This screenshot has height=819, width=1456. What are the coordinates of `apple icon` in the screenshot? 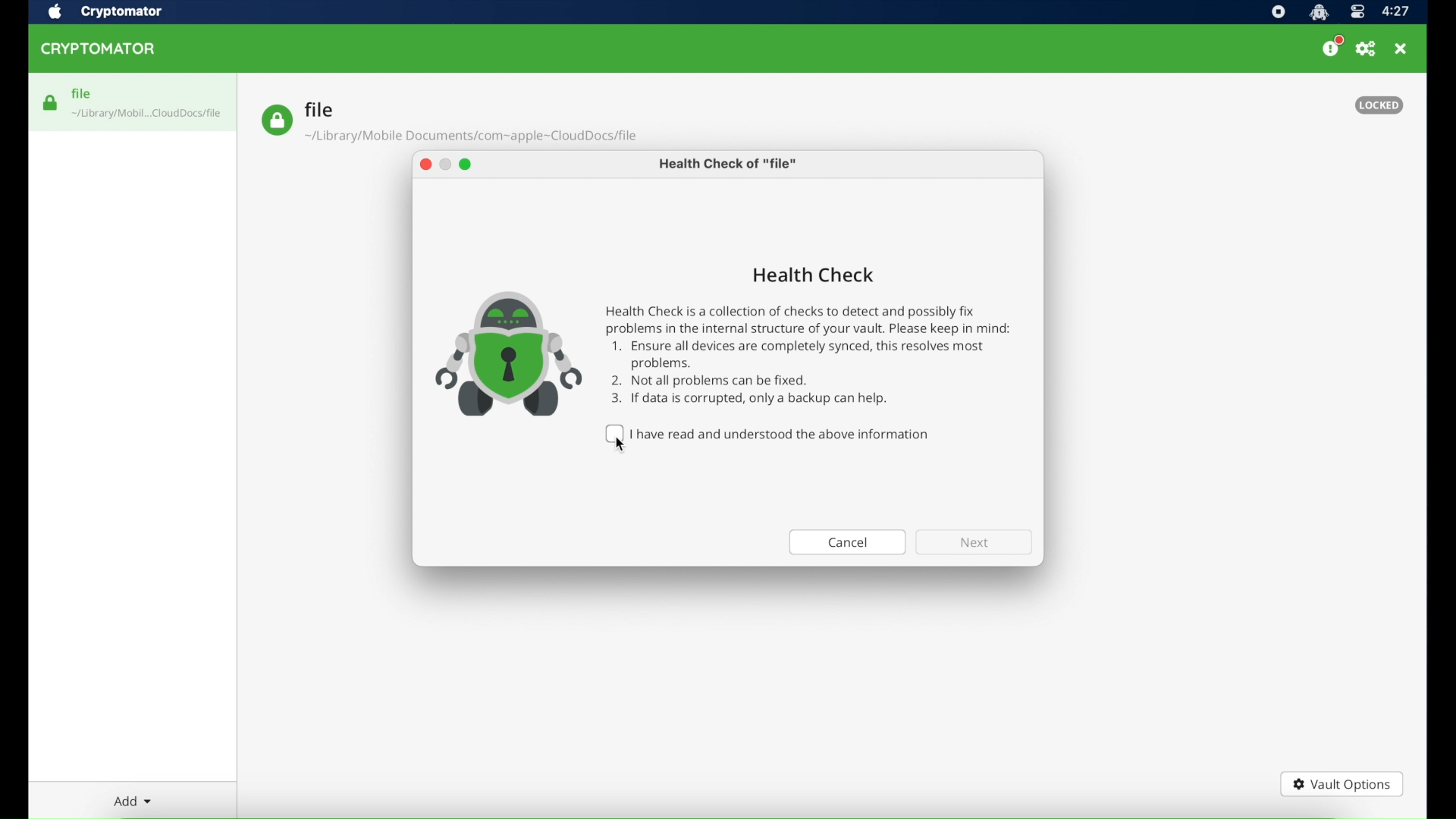 It's located at (55, 12).